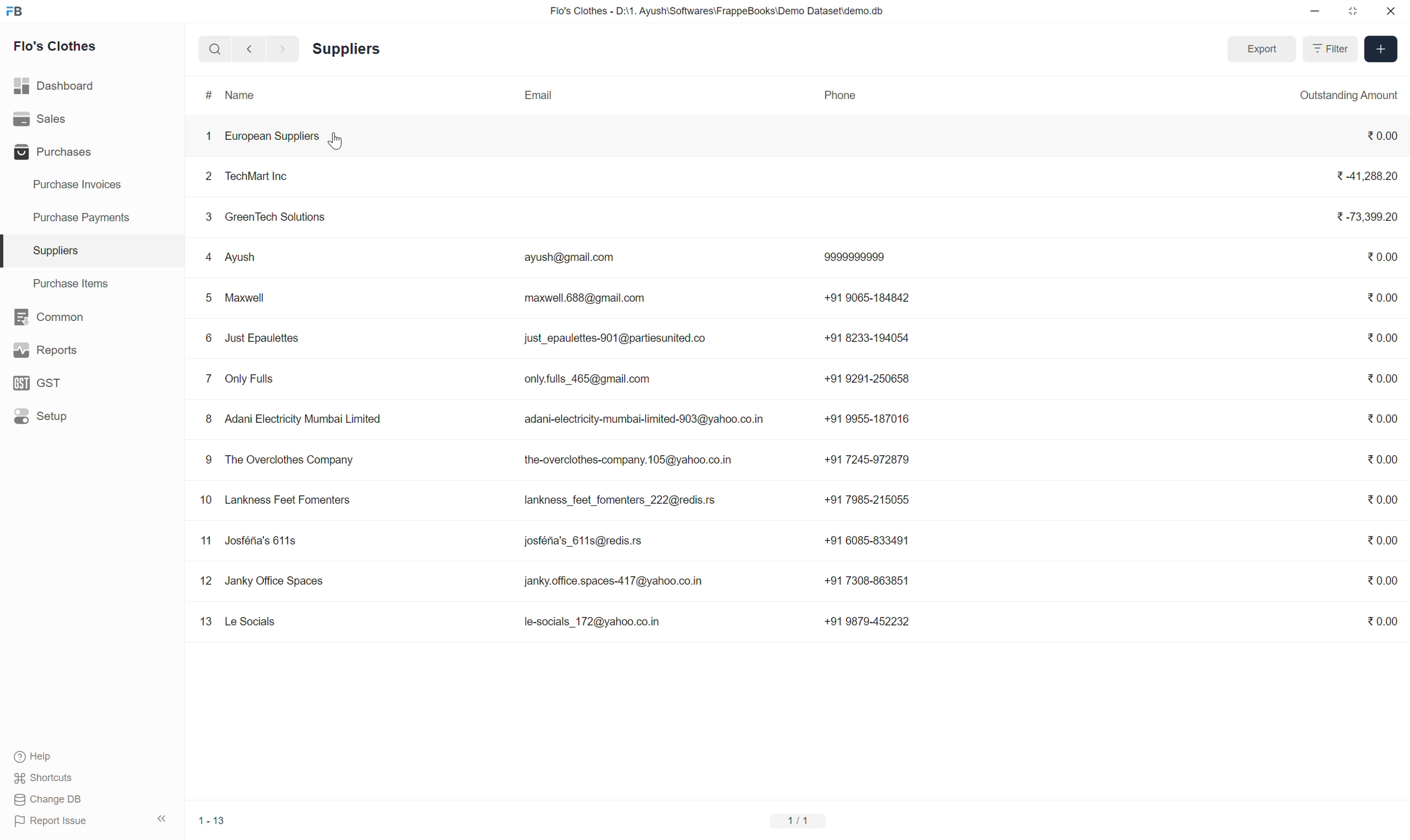 This screenshot has height=840, width=1410. Describe the element at coordinates (584, 380) in the screenshot. I see `only.fulls_465@gmail.com` at that location.